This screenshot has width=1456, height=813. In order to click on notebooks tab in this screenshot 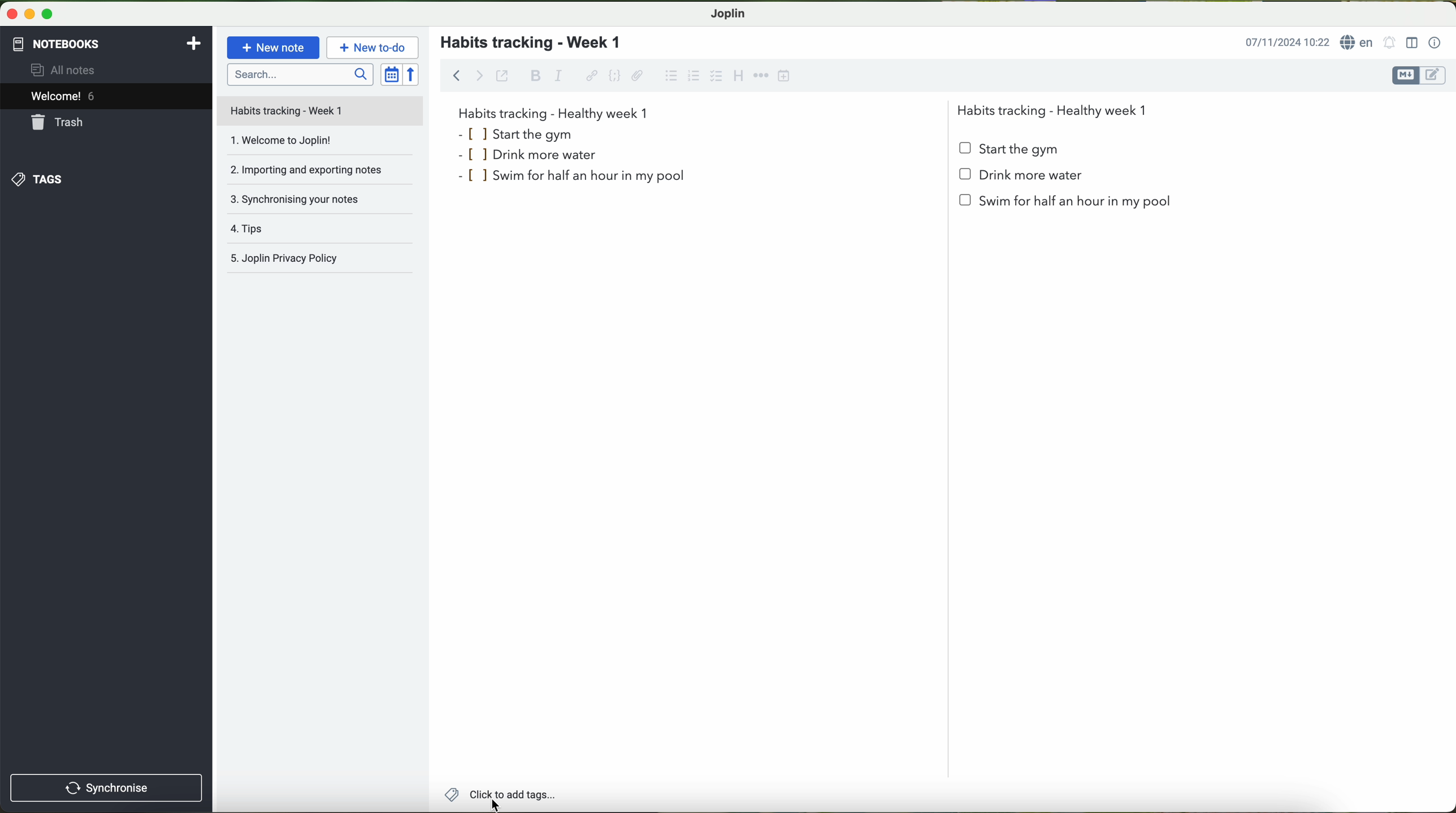, I will do `click(108, 44)`.